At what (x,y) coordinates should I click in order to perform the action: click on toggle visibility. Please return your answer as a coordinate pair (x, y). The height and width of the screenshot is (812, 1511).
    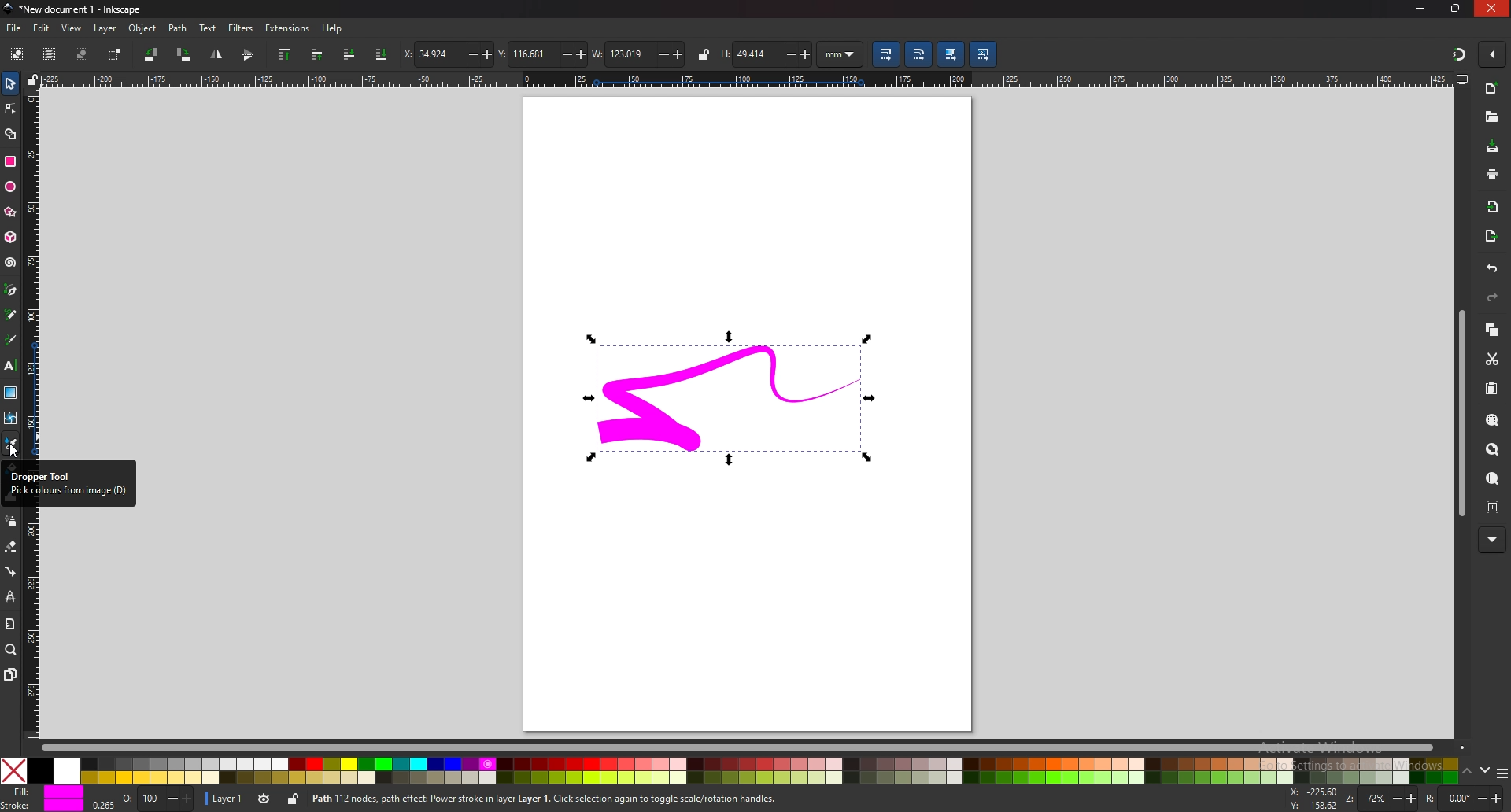
    Looking at the image, I should click on (264, 799).